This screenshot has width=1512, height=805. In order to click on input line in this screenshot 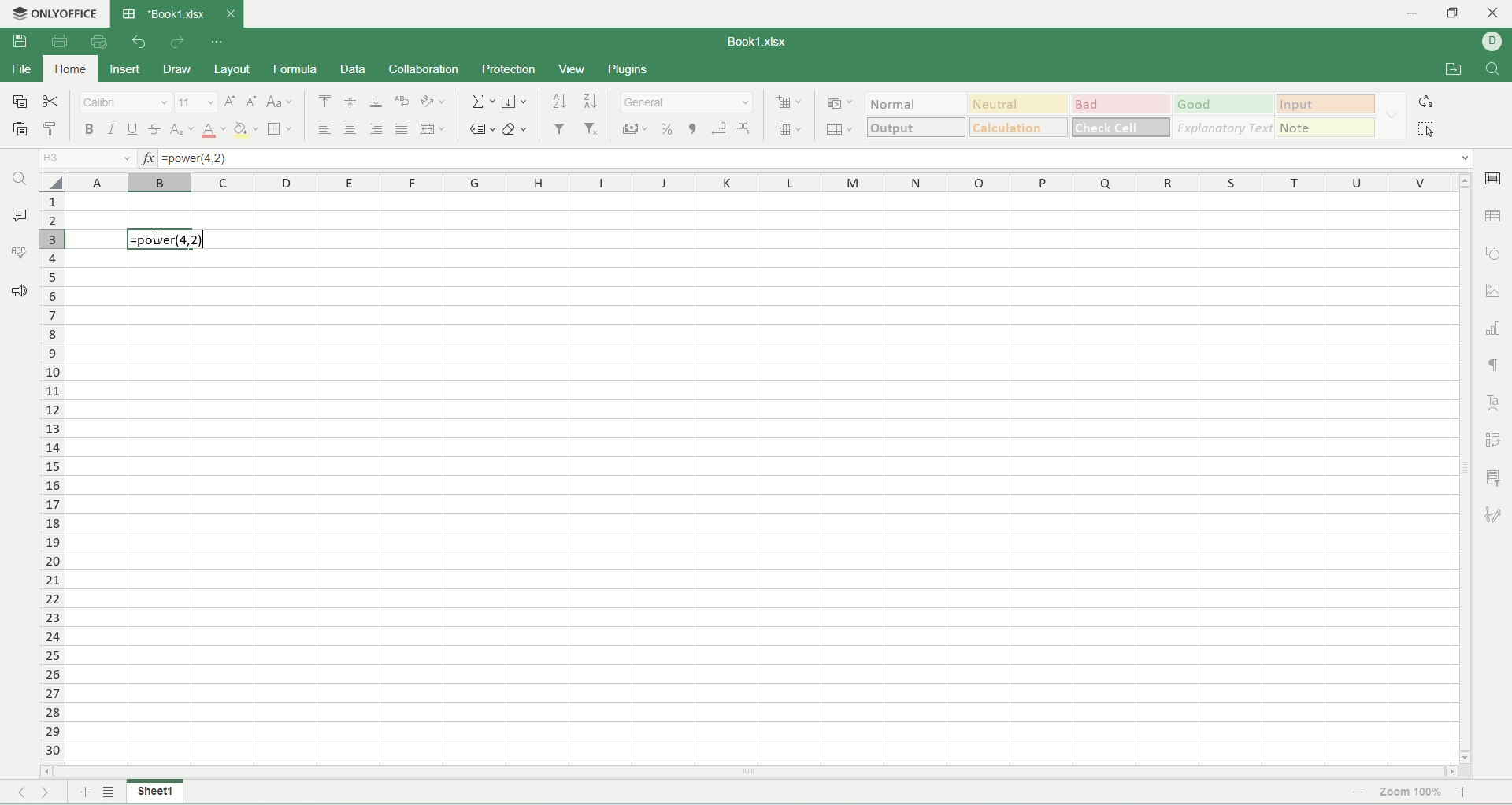, I will do `click(816, 158)`.